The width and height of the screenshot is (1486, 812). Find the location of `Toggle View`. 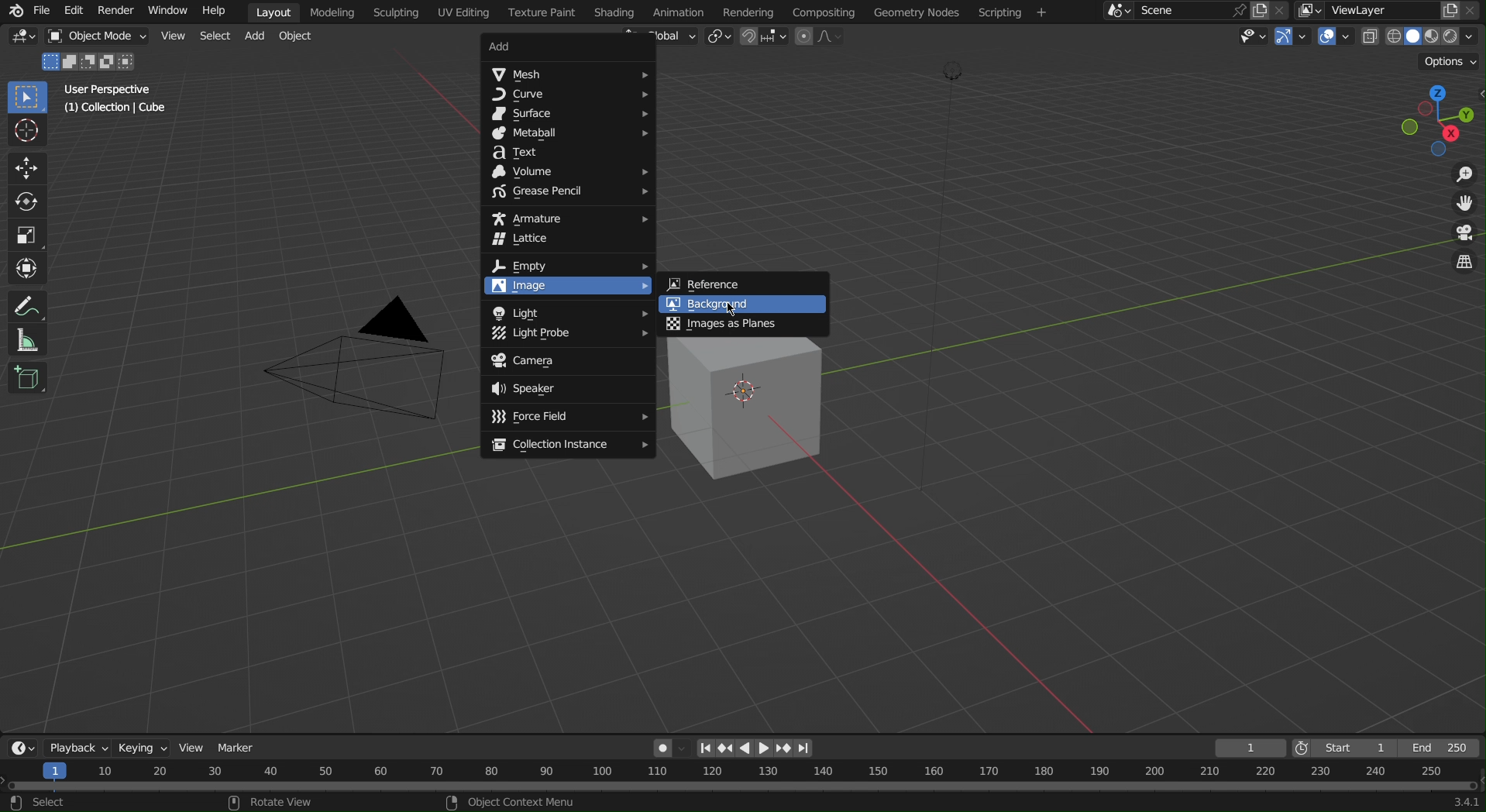

Toggle View is located at coordinates (1467, 265).